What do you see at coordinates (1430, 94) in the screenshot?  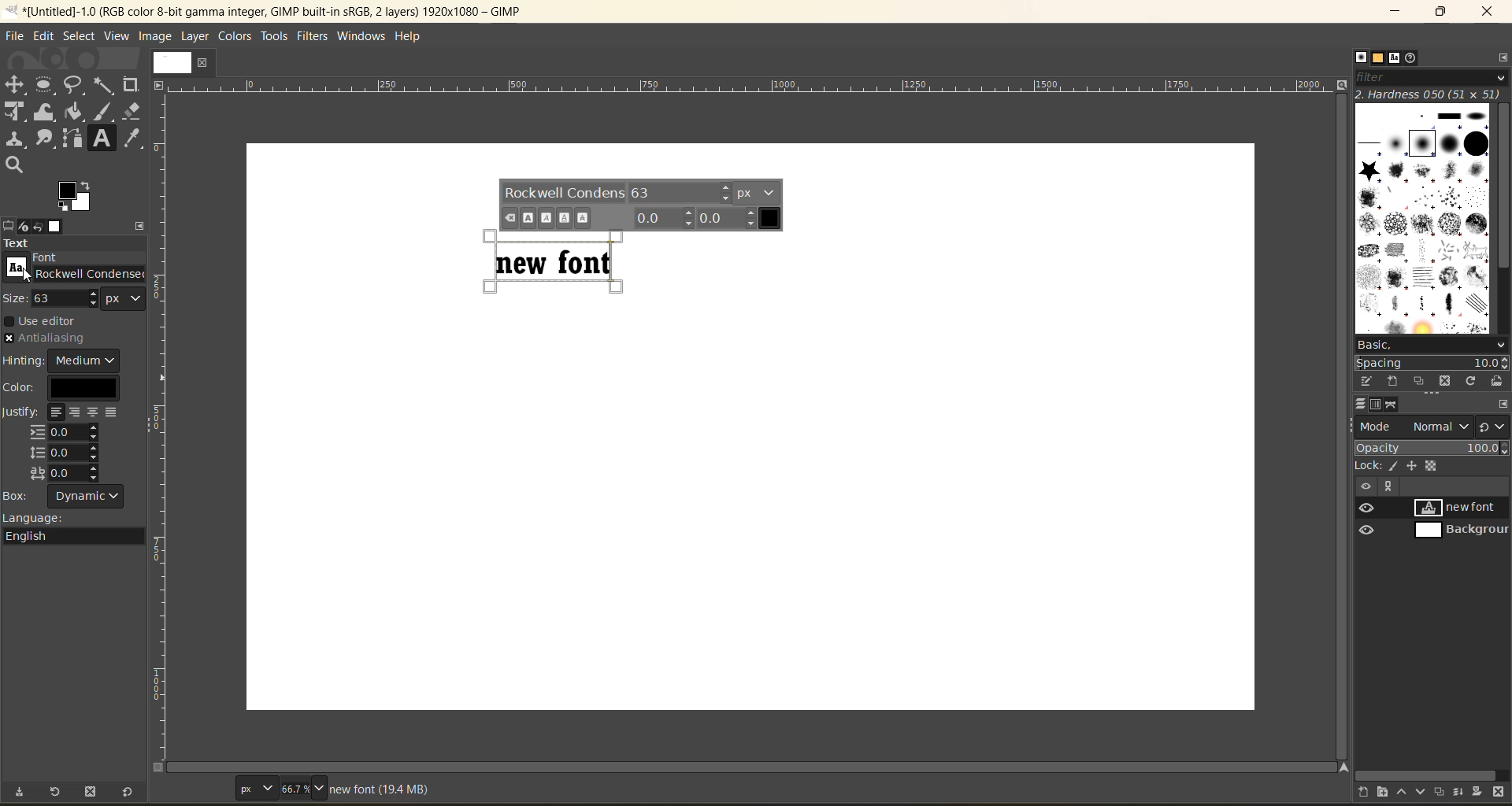 I see `hardness` at bounding box center [1430, 94].